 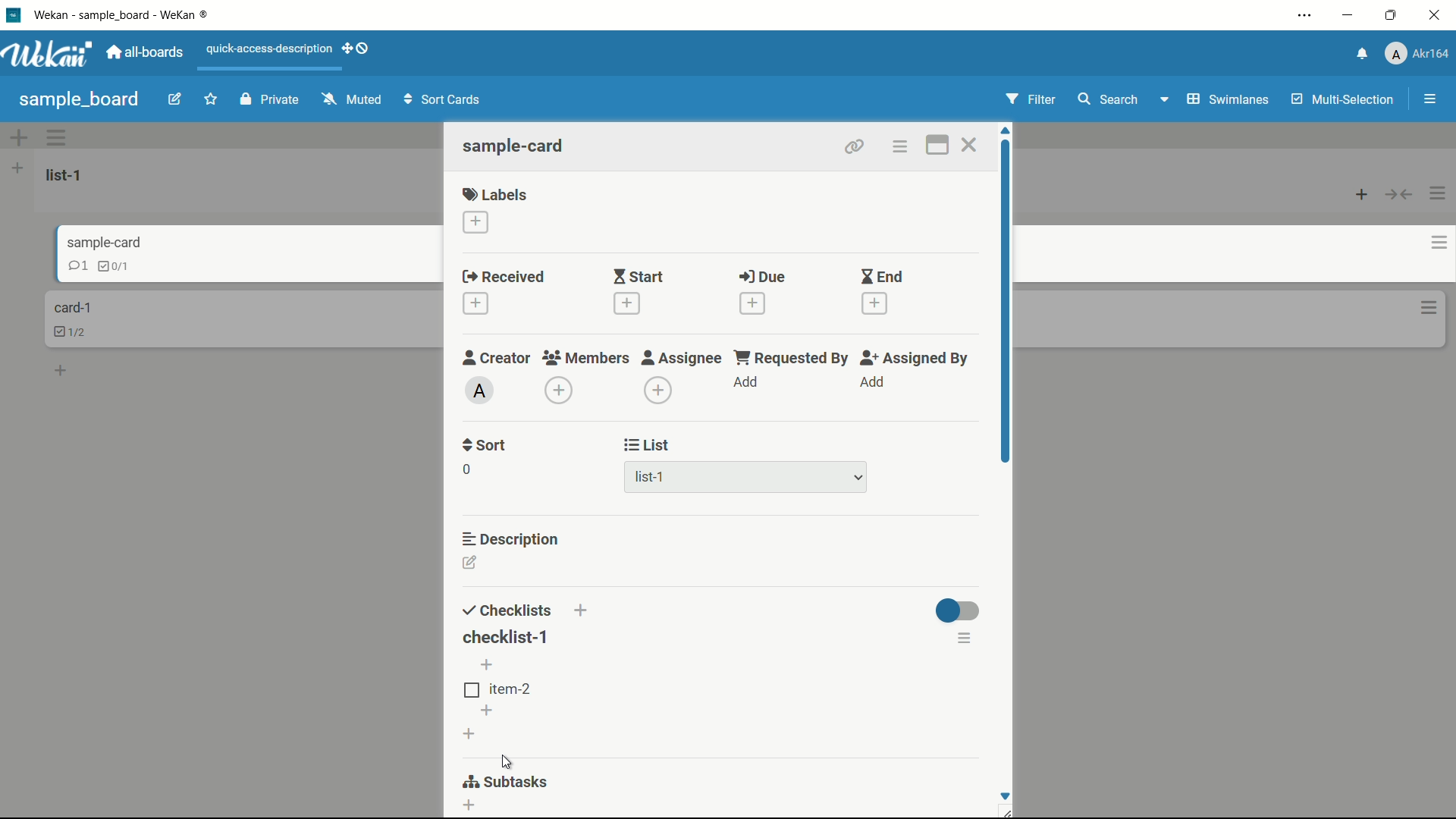 What do you see at coordinates (515, 145) in the screenshot?
I see `card name` at bounding box center [515, 145].